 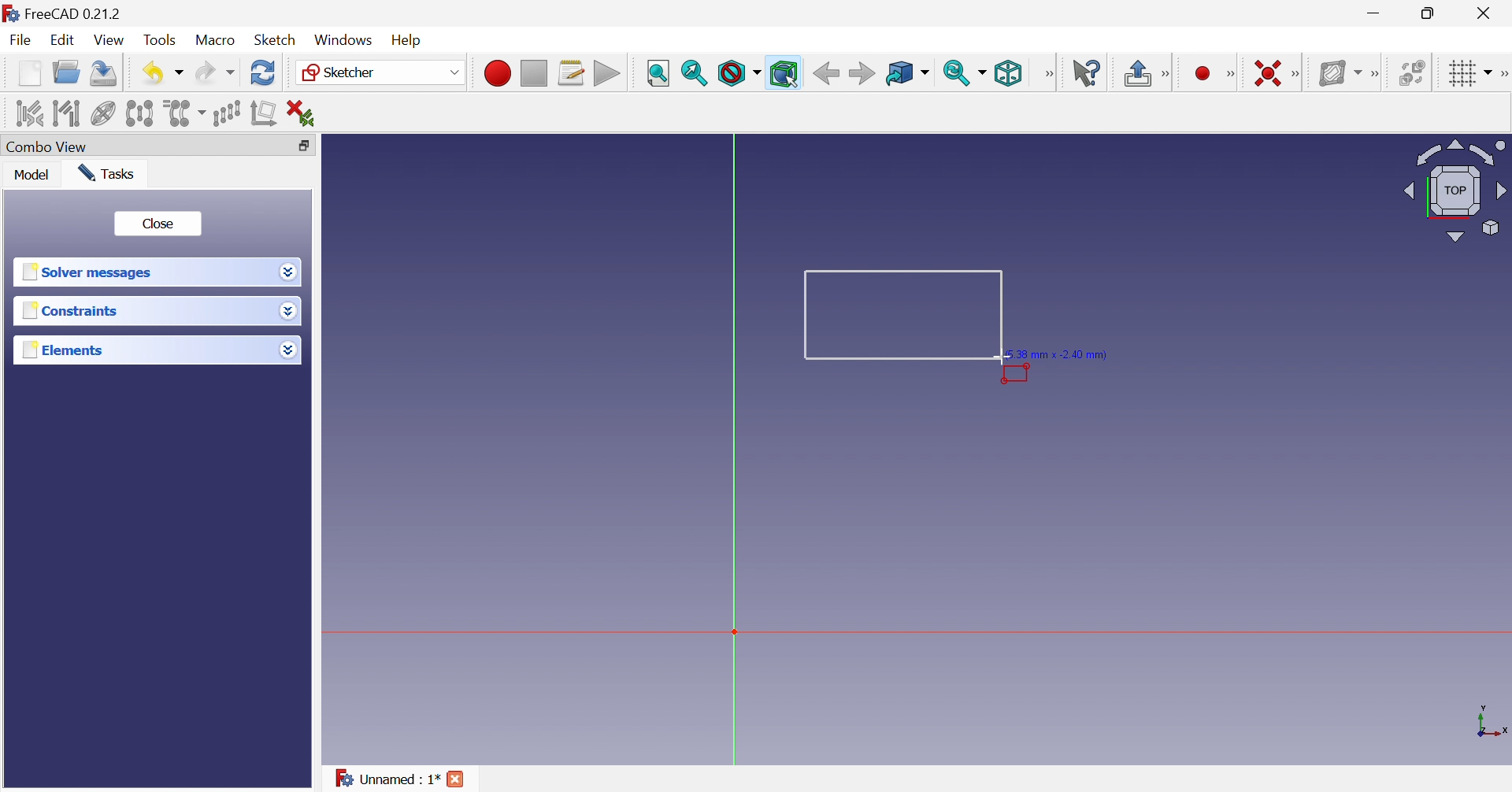 I want to click on What's this, so click(x=1091, y=72).